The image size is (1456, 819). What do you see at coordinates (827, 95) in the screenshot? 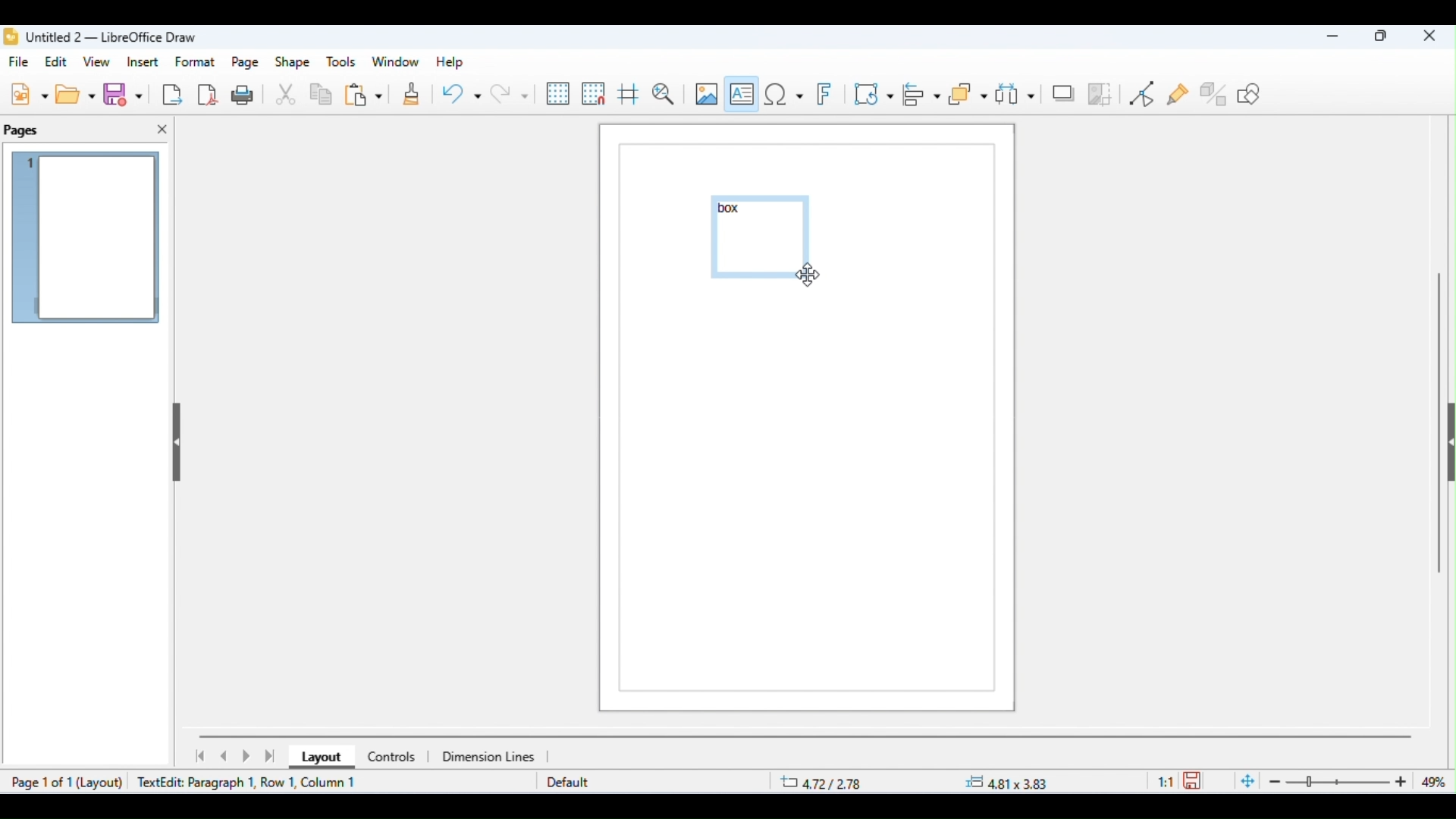
I see `insert fontwork text` at bounding box center [827, 95].